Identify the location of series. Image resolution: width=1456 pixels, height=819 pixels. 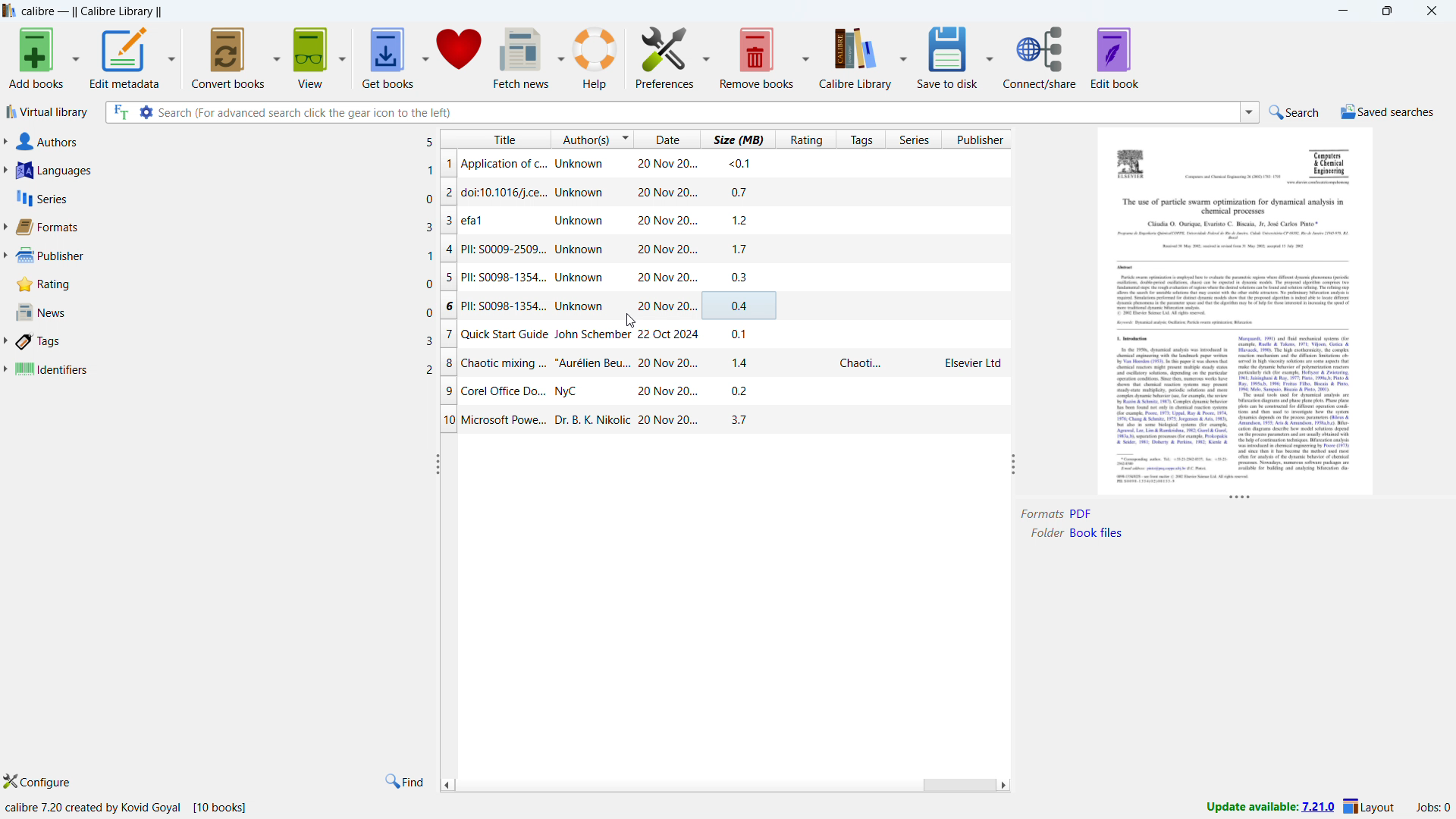
(224, 198).